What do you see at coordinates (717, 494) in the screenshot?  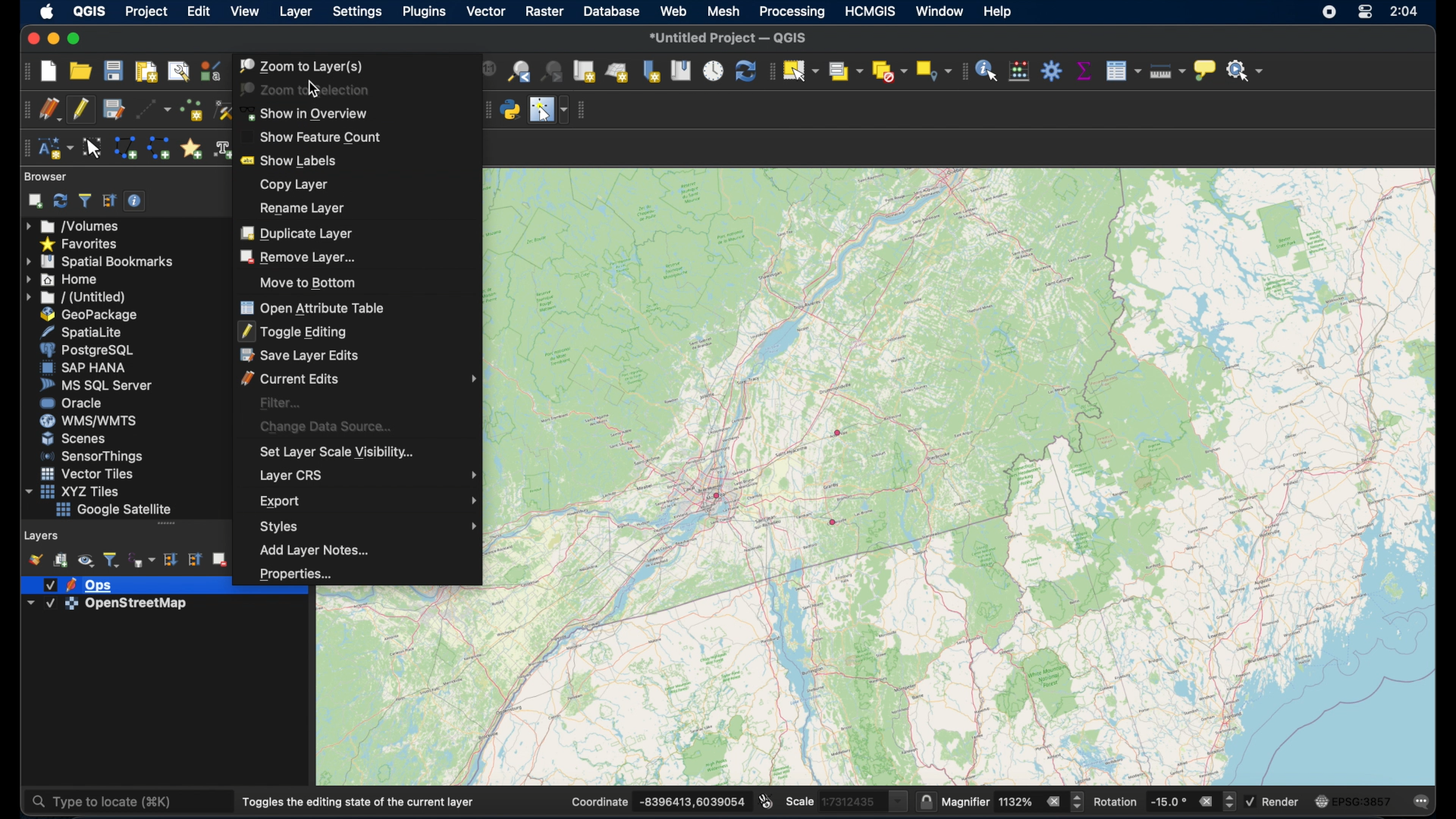 I see `point feature` at bounding box center [717, 494].